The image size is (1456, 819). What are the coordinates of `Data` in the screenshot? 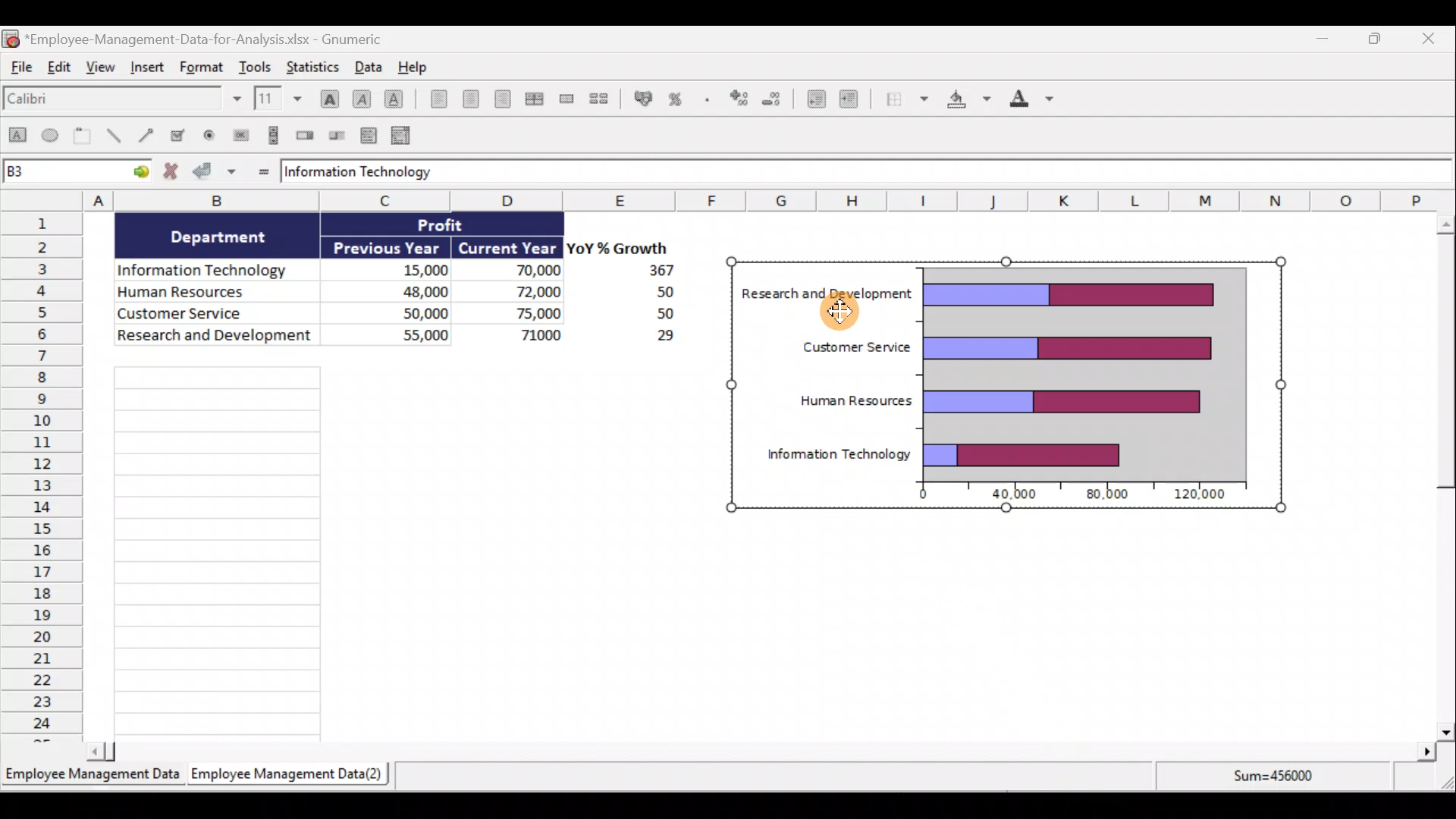 It's located at (367, 66).